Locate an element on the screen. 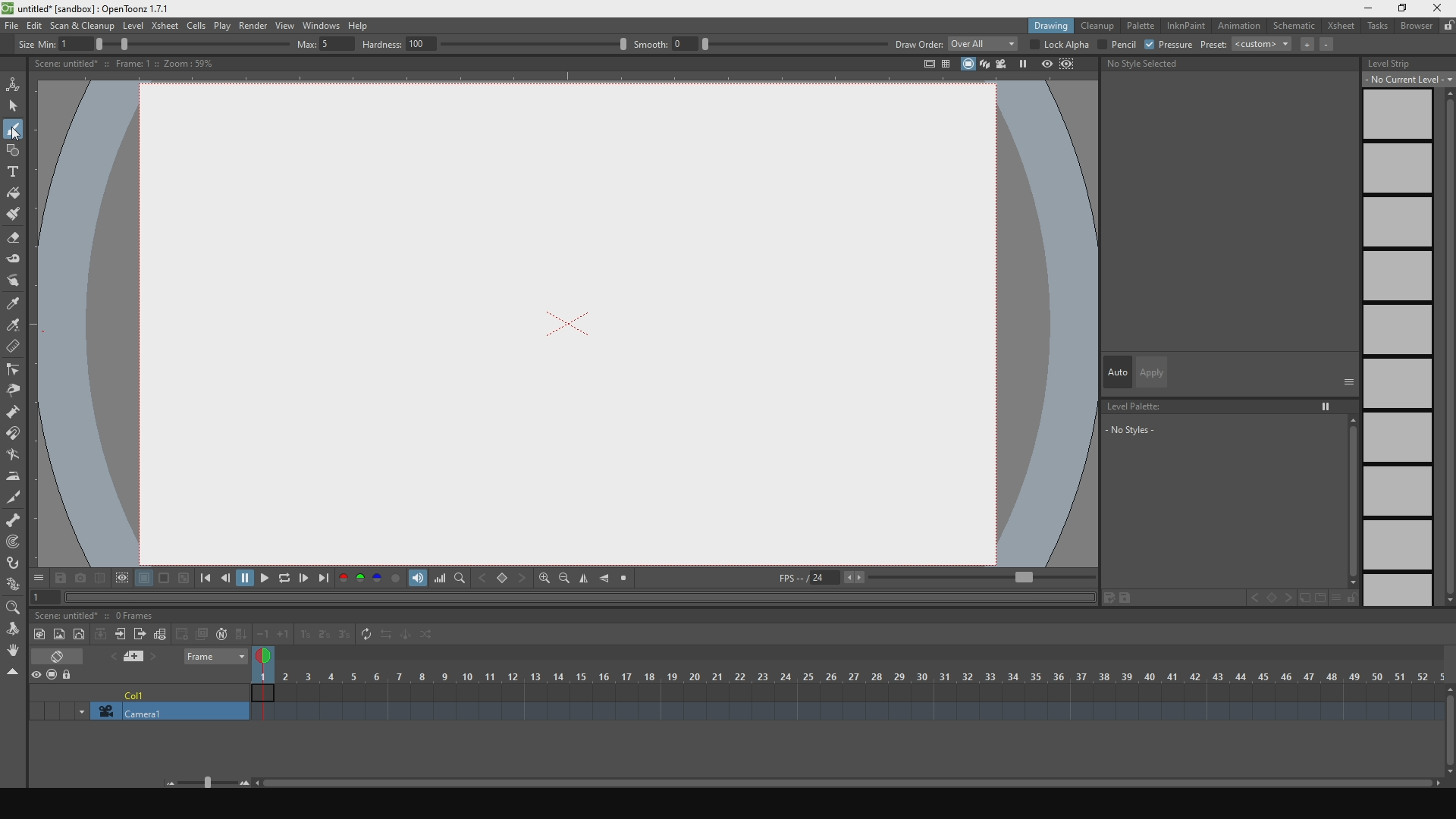  stop is located at coordinates (965, 67).